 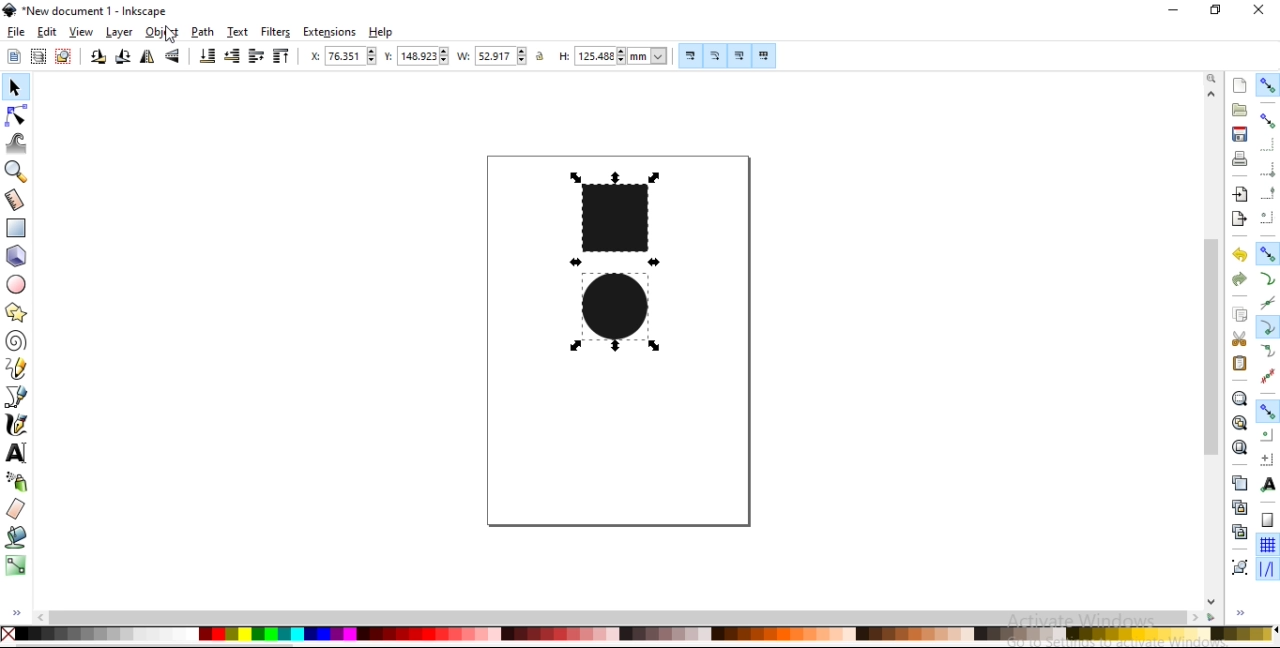 What do you see at coordinates (1239, 422) in the screenshot?
I see `zoom to fit drawing` at bounding box center [1239, 422].